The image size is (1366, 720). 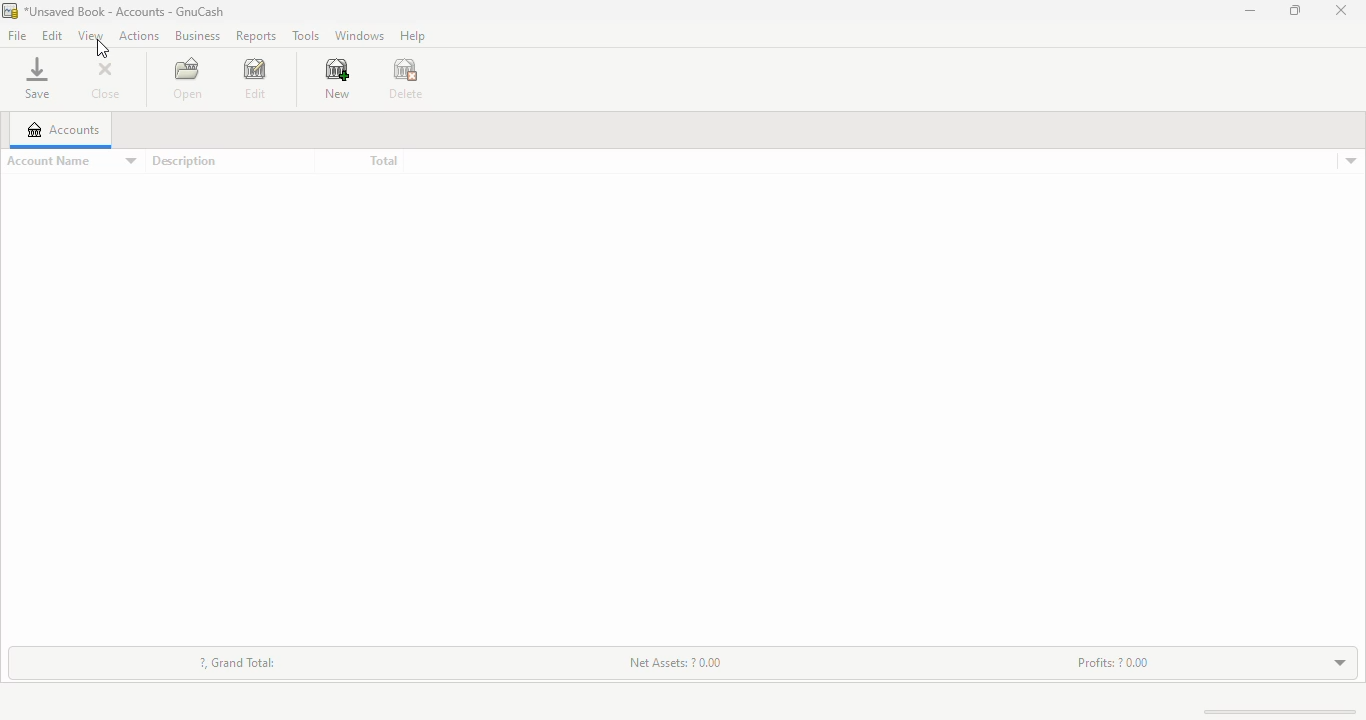 I want to click on new, so click(x=337, y=79).